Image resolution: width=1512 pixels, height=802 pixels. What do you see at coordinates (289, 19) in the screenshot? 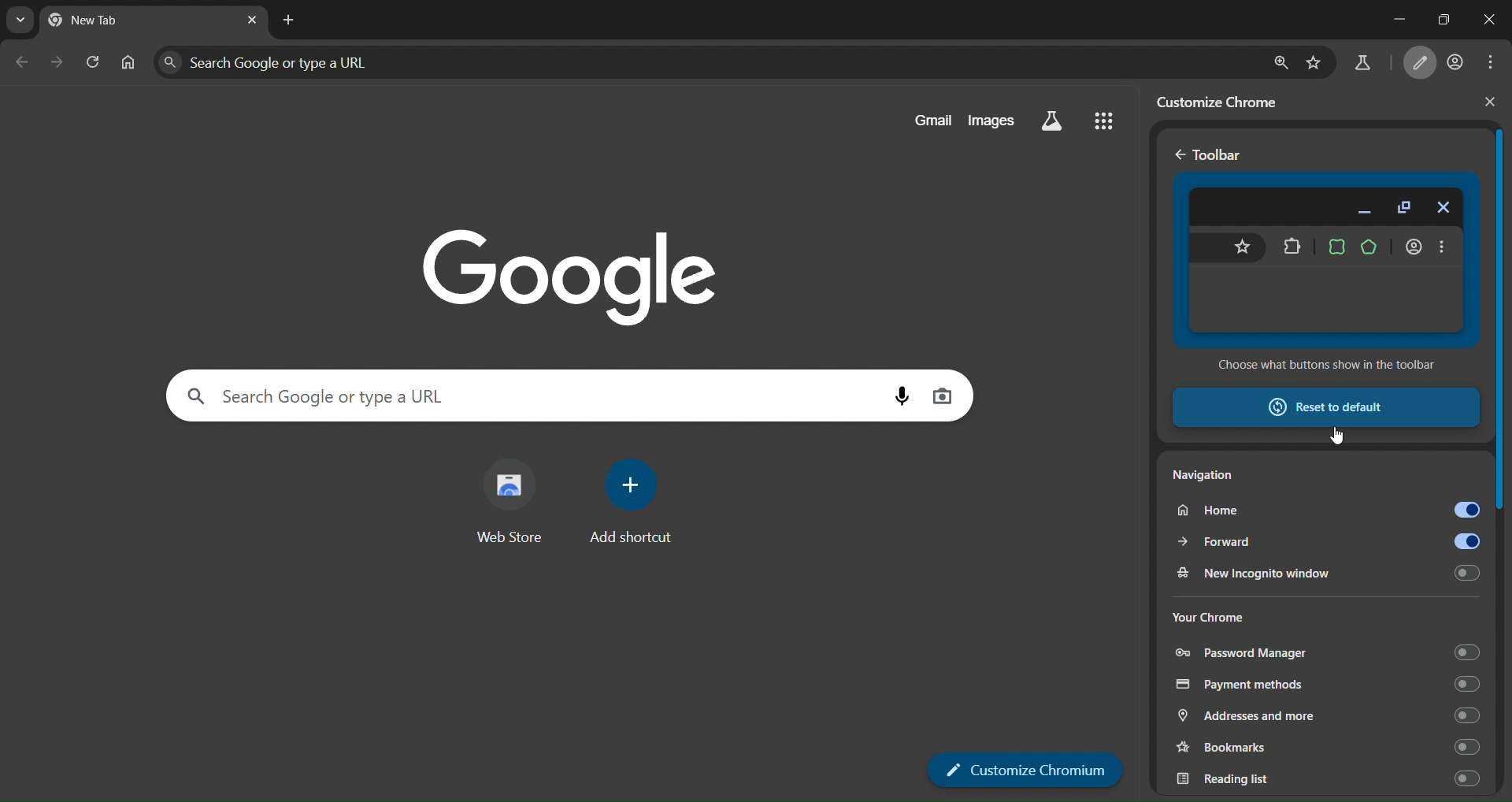
I see `new tab` at bounding box center [289, 19].